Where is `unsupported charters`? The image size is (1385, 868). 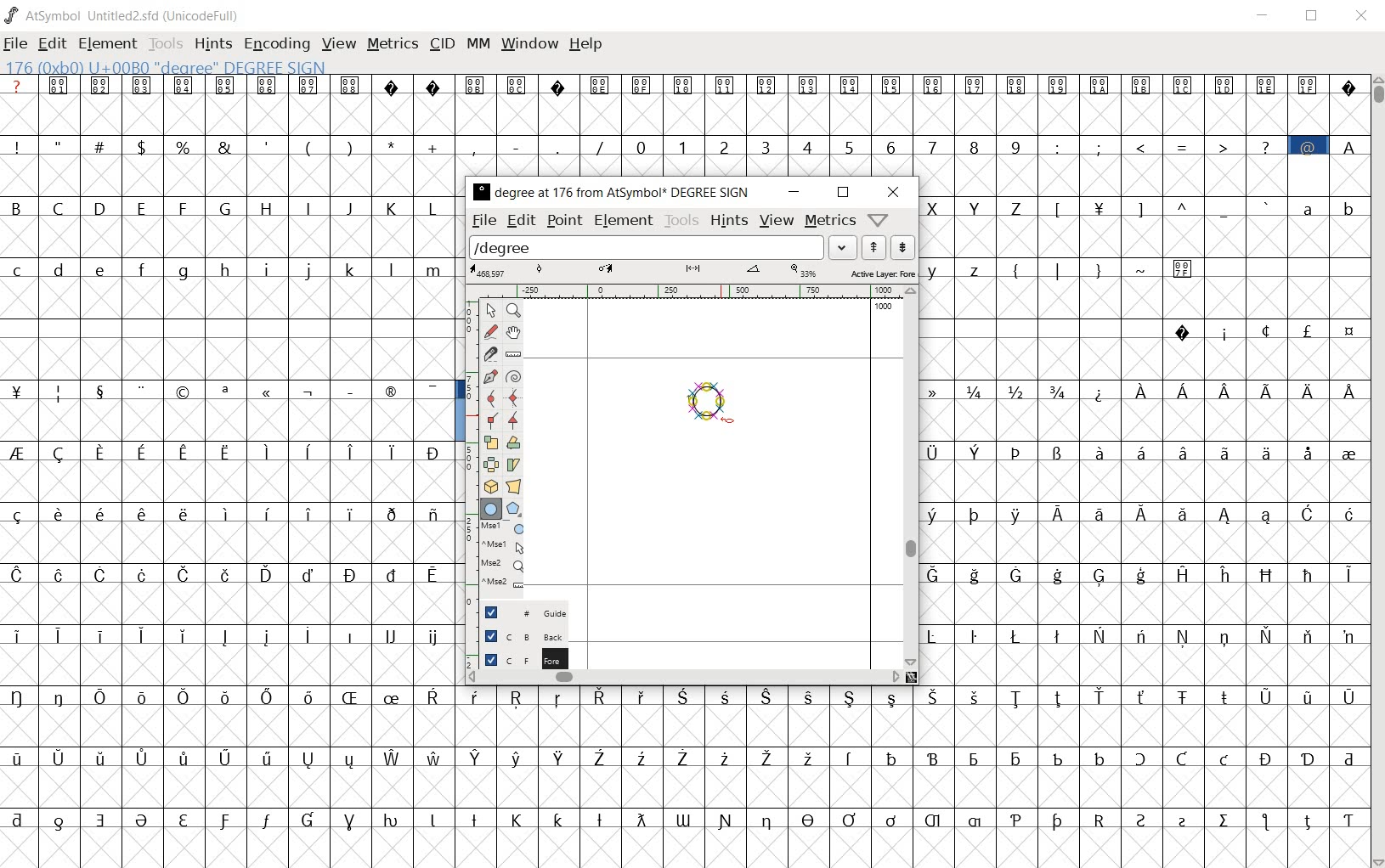
unsupported charters is located at coordinates (1349, 84).